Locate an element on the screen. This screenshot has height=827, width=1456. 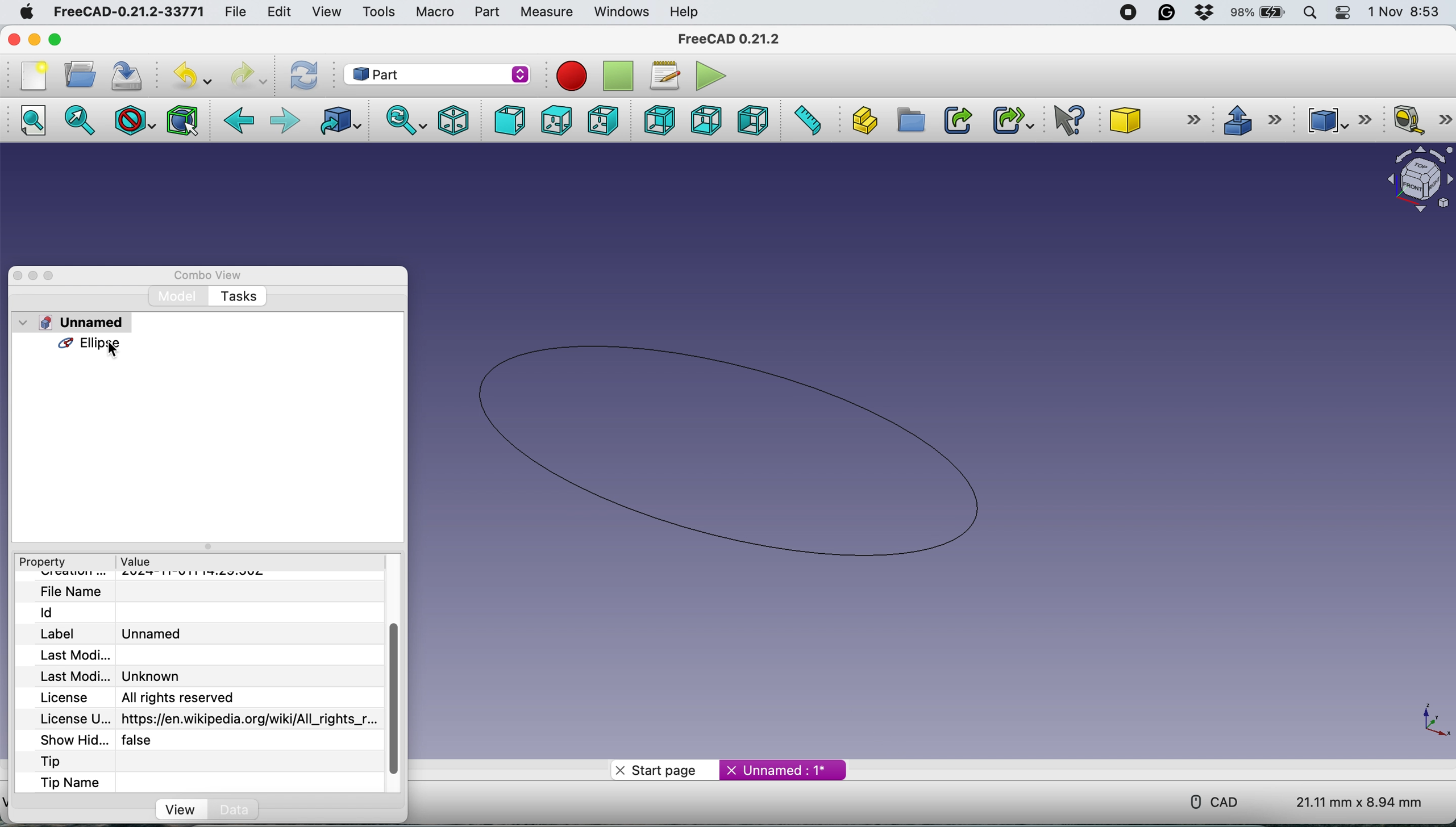
license is located at coordinates (207, 718).